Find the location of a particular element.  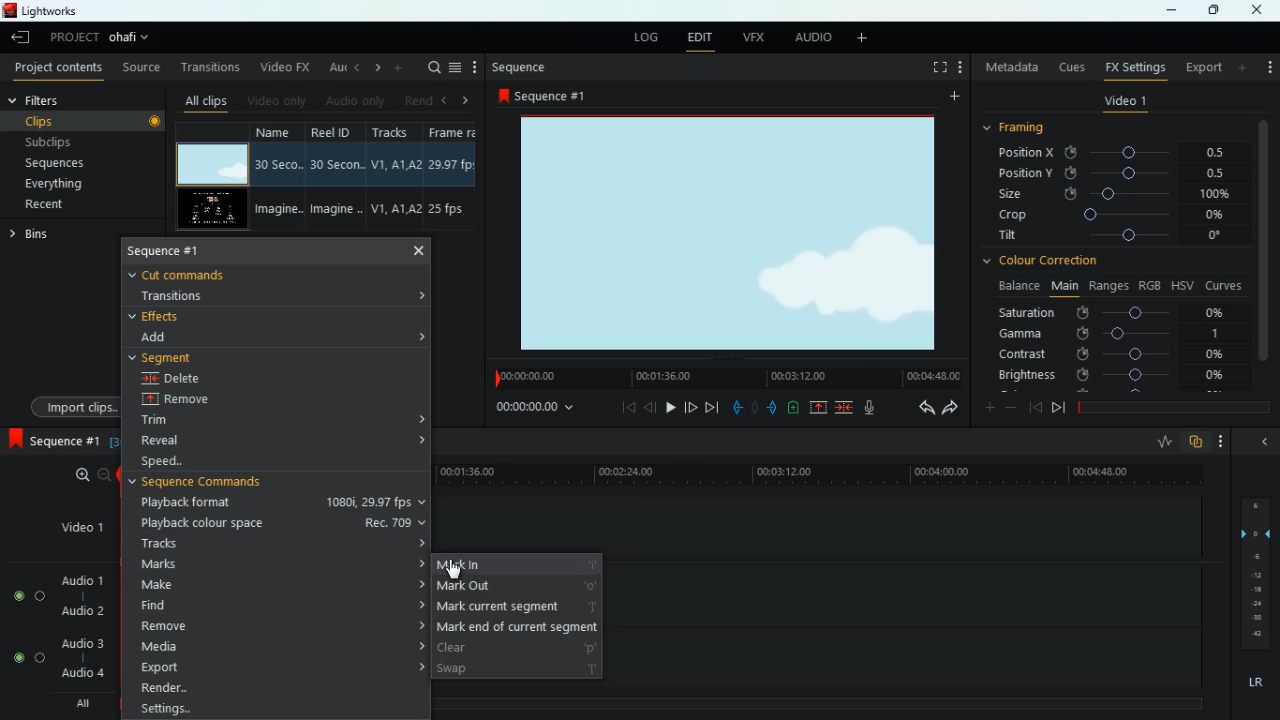

sequence 1 is located at coordinates (53, 441).